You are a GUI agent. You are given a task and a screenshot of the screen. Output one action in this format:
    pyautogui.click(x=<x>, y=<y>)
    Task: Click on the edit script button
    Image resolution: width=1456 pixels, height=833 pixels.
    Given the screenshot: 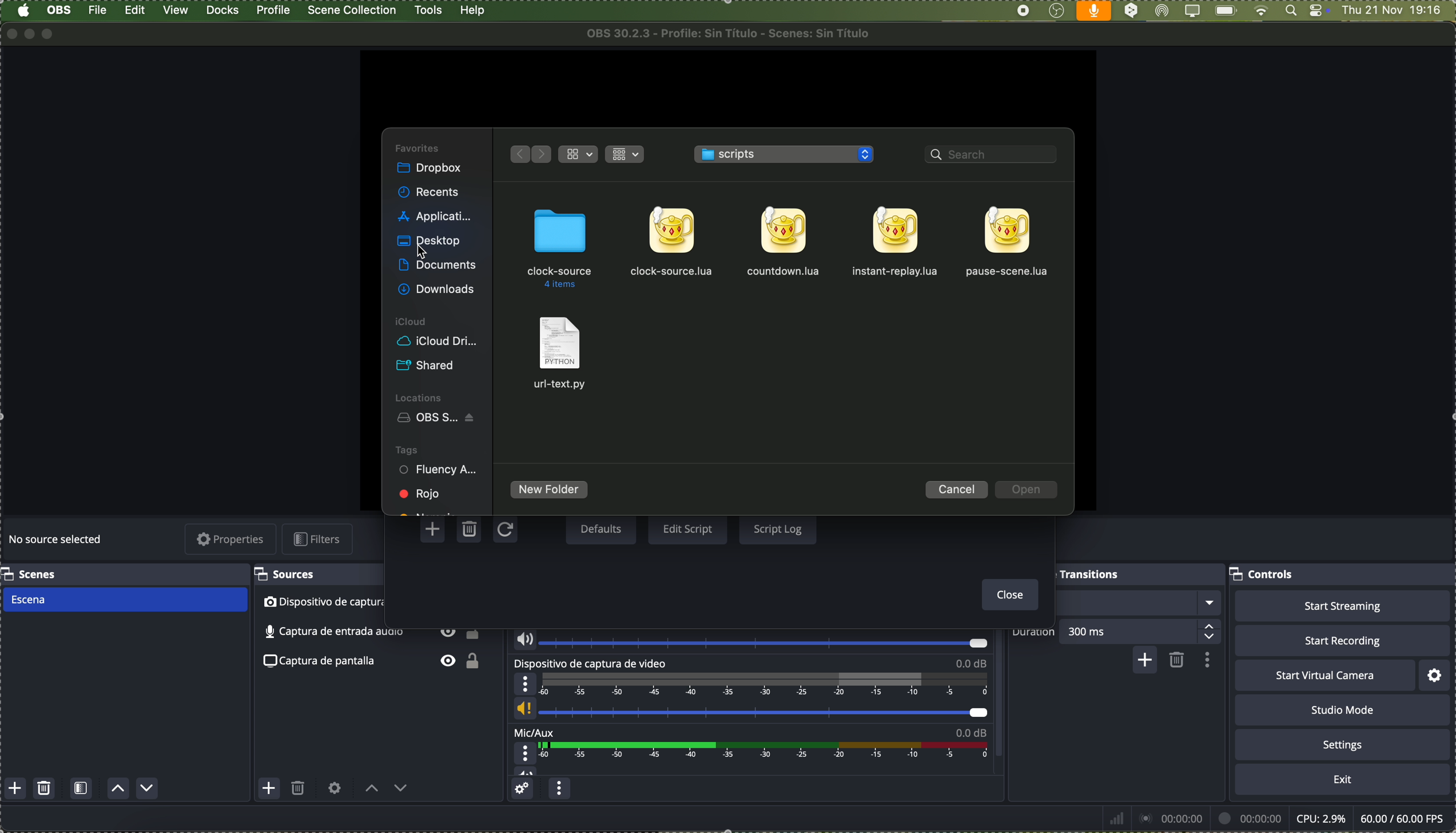 What is the action you would take?
    pyautogui.click(x=688, y=530)
    